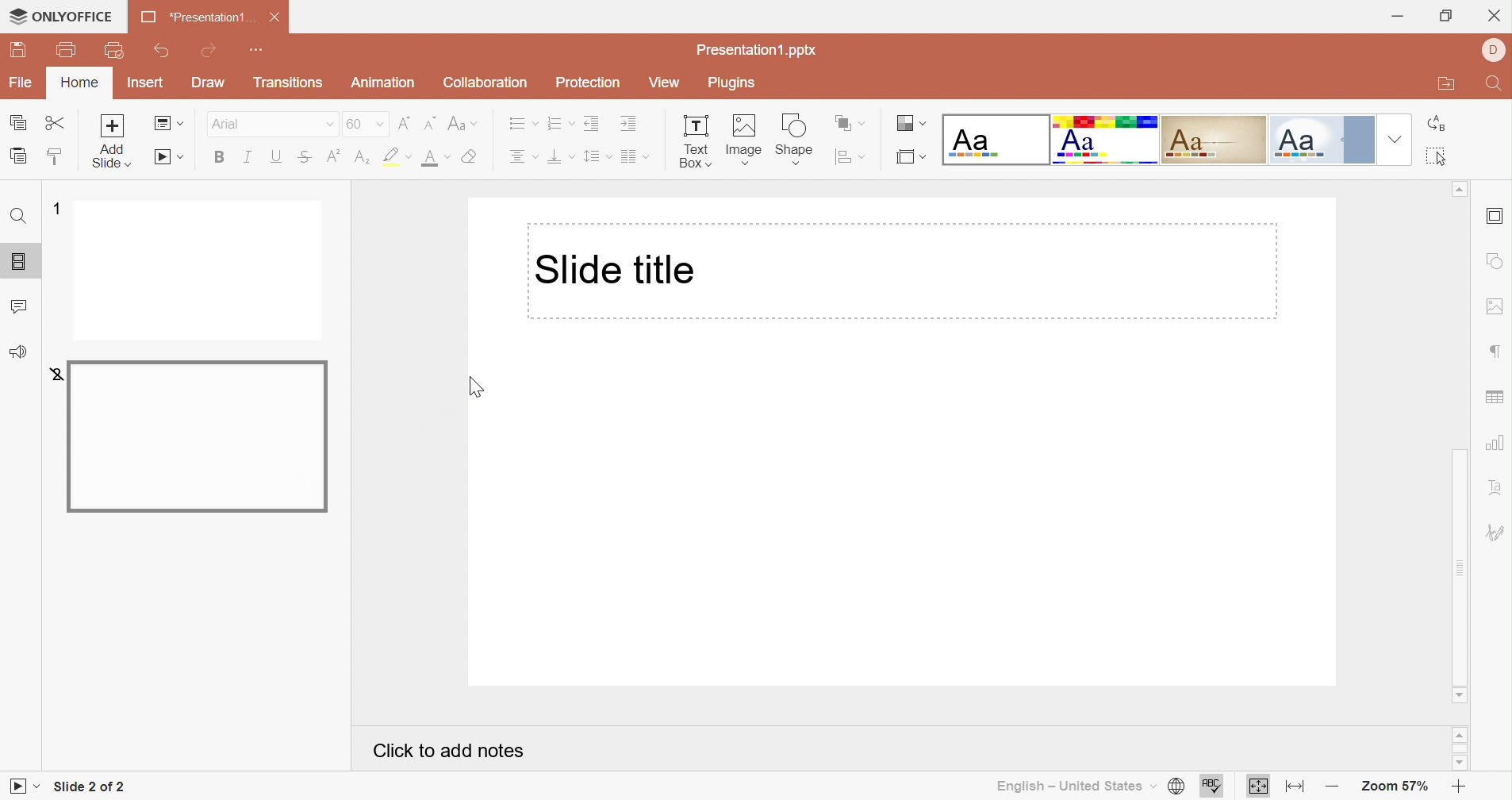 This screenshot has width=1512, height=800. I want to click on Scroll Down, so click(1460, 762).